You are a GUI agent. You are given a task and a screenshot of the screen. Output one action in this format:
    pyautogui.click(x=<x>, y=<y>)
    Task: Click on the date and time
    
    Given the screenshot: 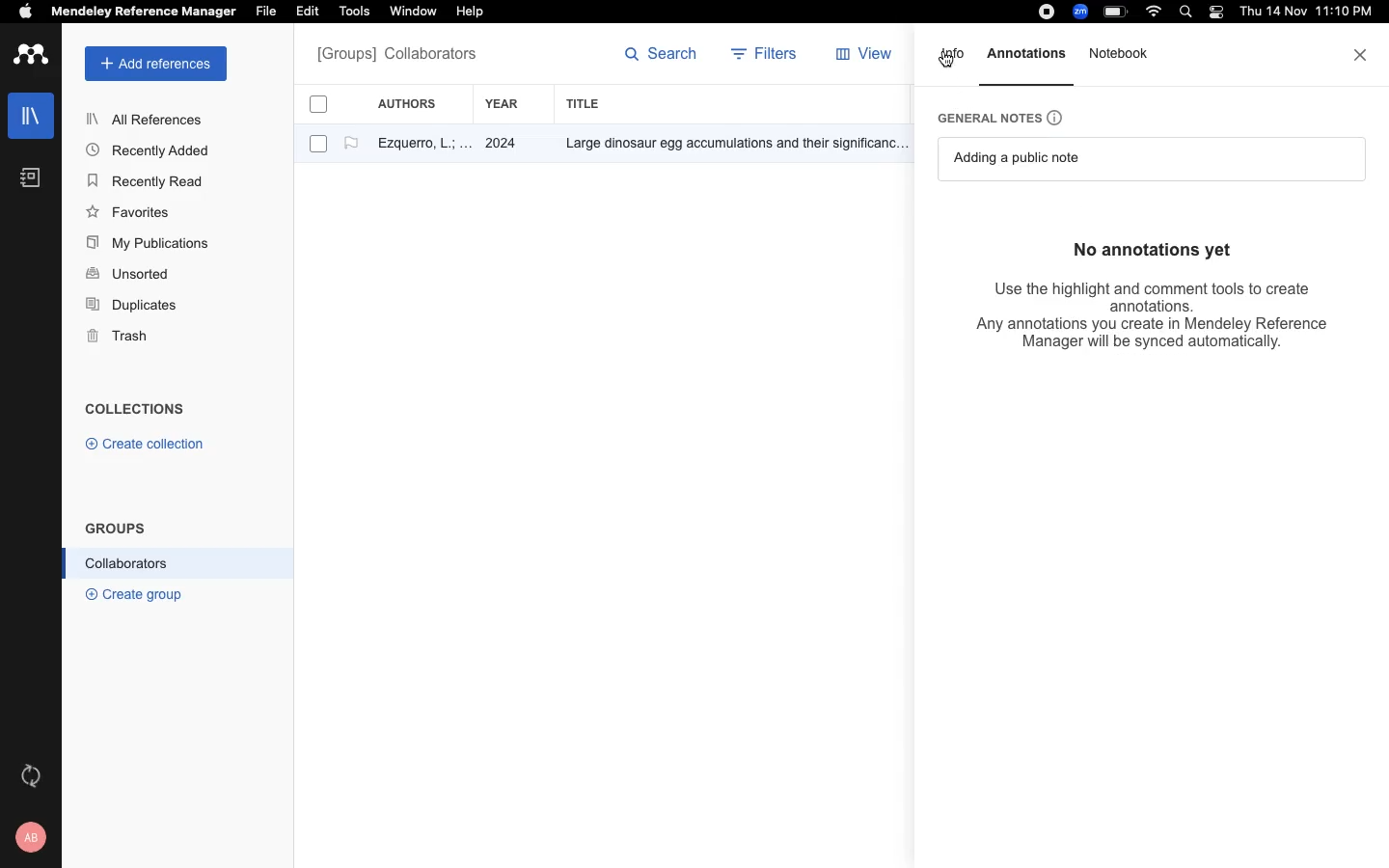 What is the action you would take?
    pyautogui.click(x=1302, y=14)
    